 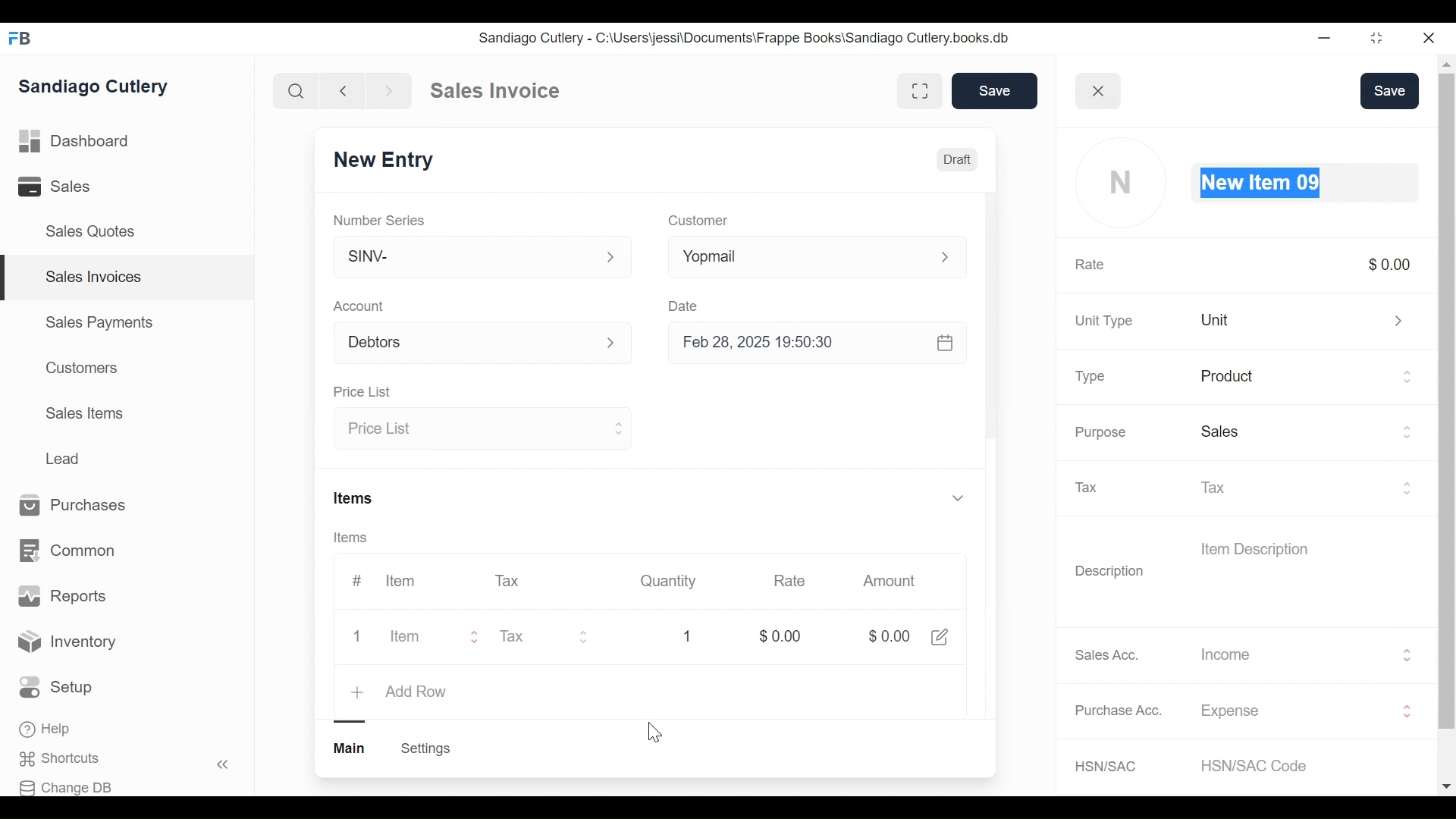 I want to click on Product, so click(x=1308, y=378).